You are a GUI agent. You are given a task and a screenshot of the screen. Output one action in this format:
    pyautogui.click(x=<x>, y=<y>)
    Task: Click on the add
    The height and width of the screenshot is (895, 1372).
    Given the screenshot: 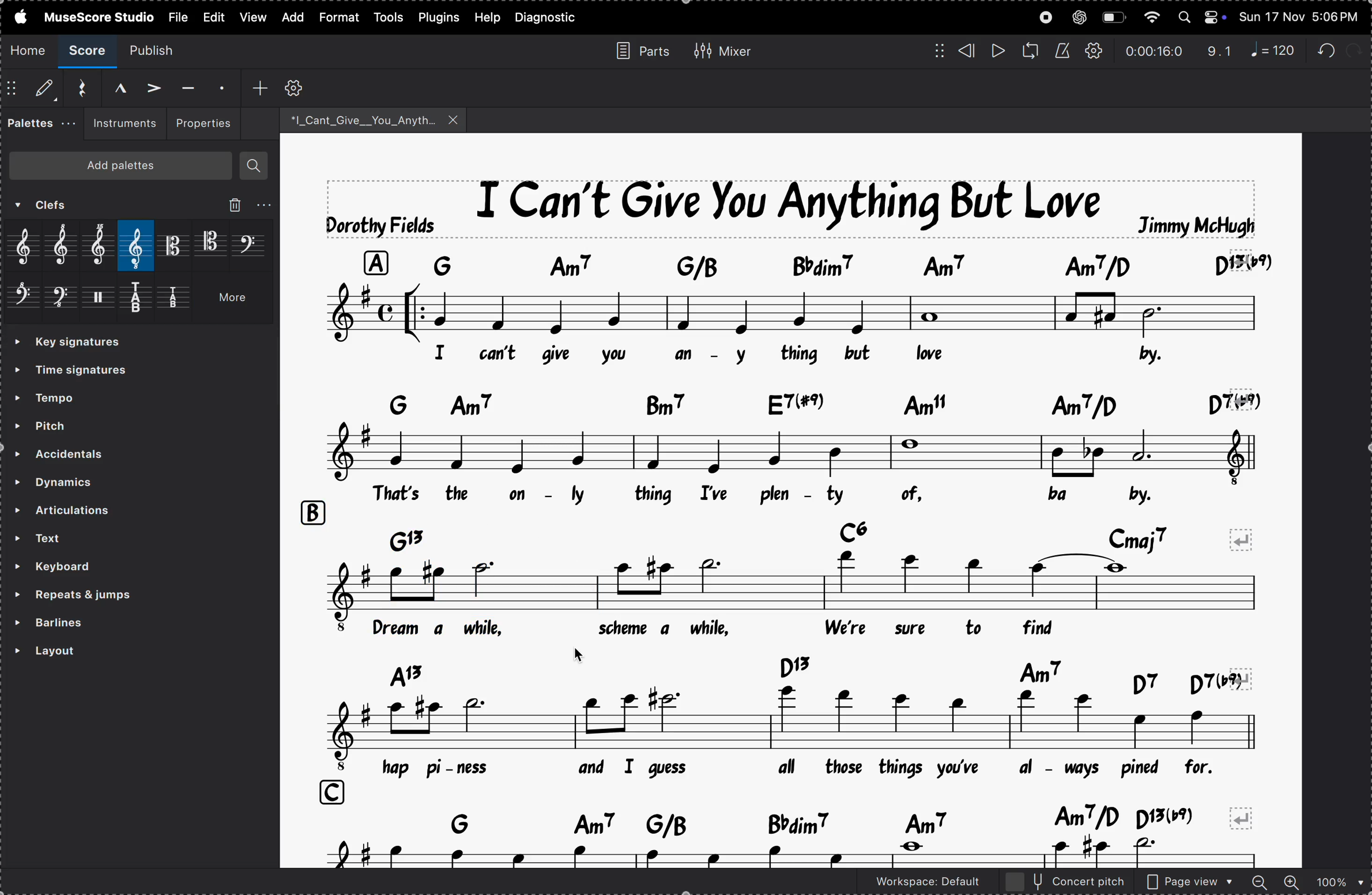 What is the action you would take?
    pyautogui.click(x=290, y=17)
    